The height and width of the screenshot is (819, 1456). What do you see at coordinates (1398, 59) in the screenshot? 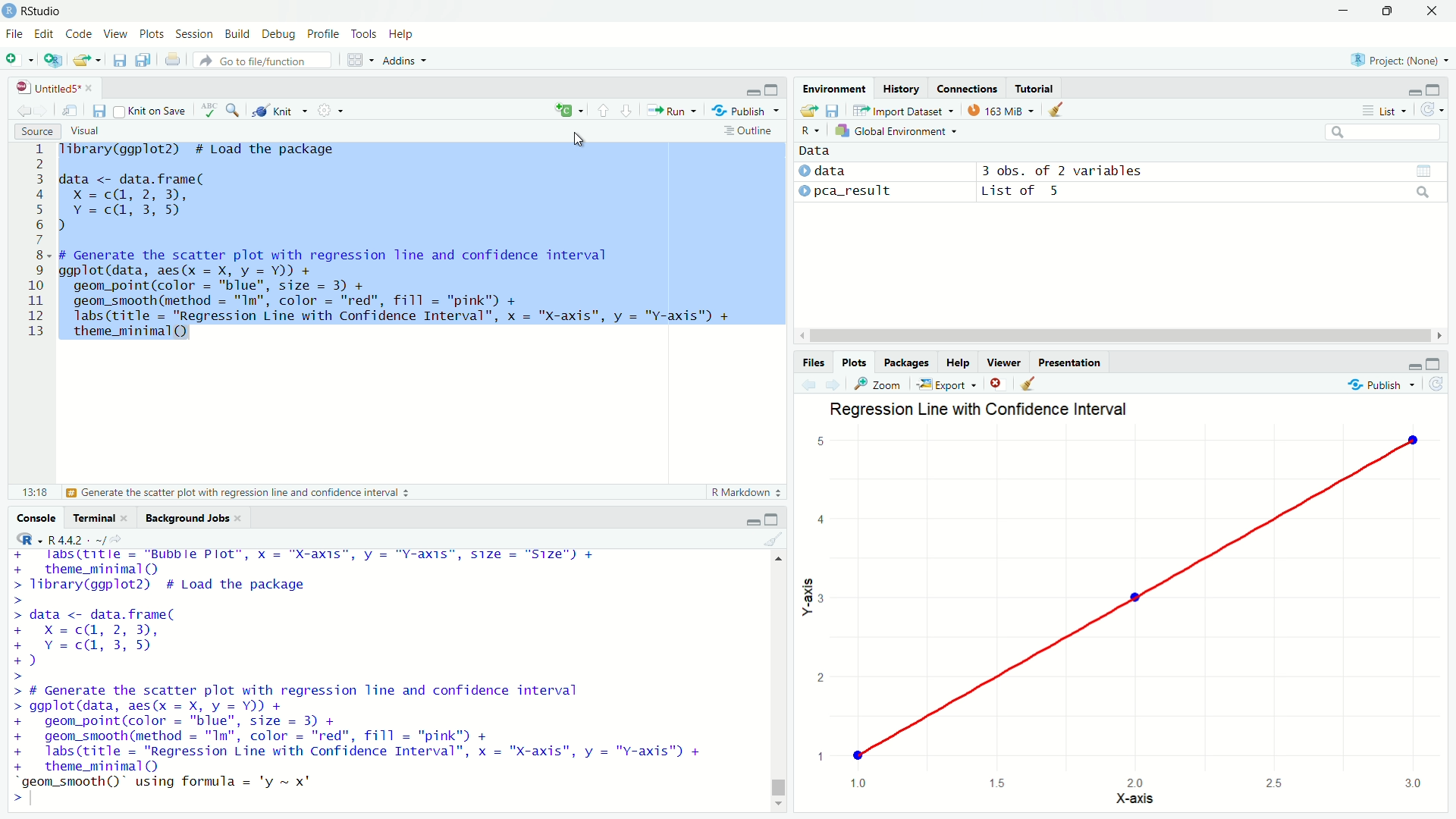
I see `Project: (None)` at bounding box center [1398, 59].